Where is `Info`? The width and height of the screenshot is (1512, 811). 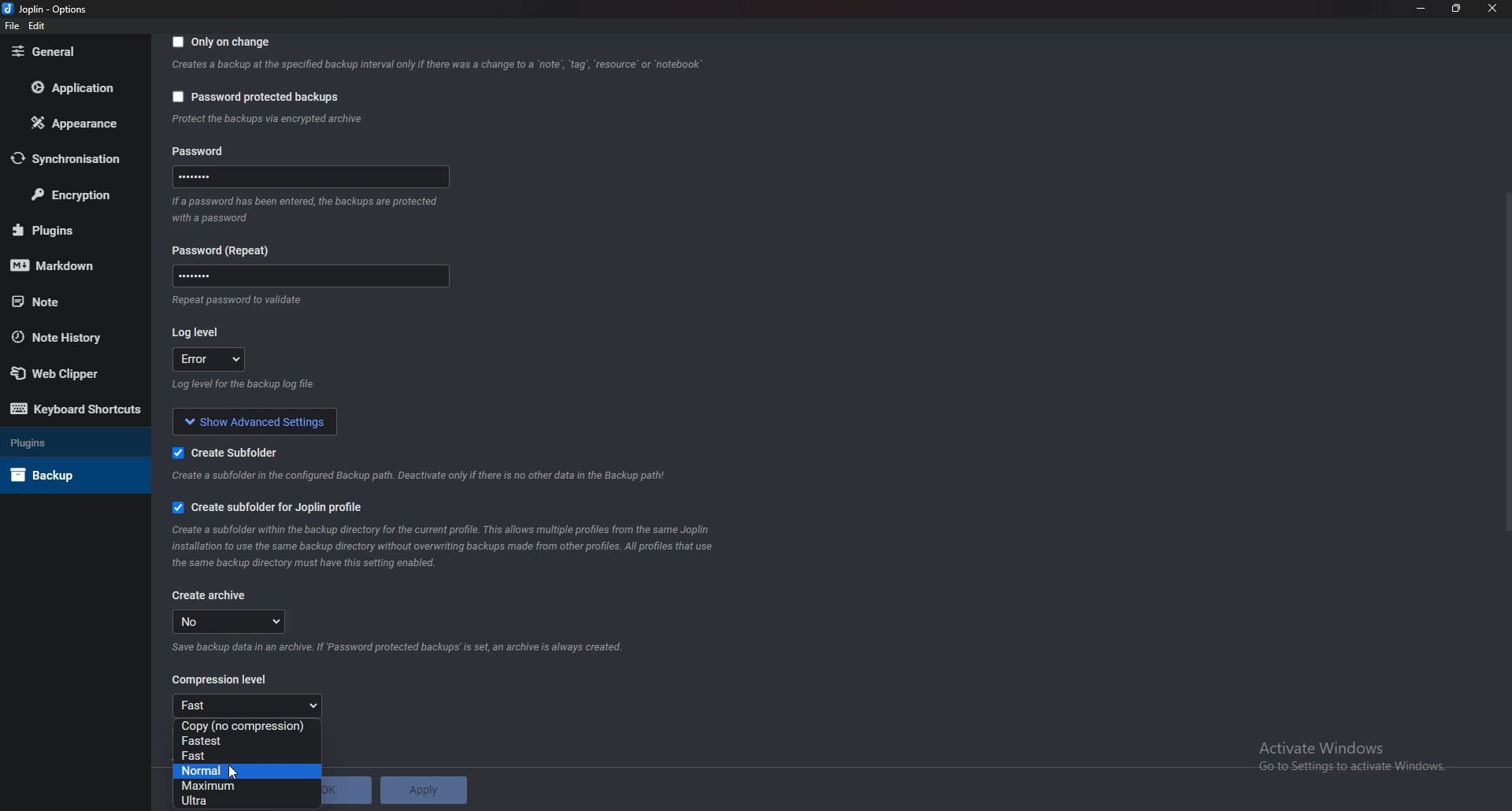 Info is located at coordinates (234, 299).